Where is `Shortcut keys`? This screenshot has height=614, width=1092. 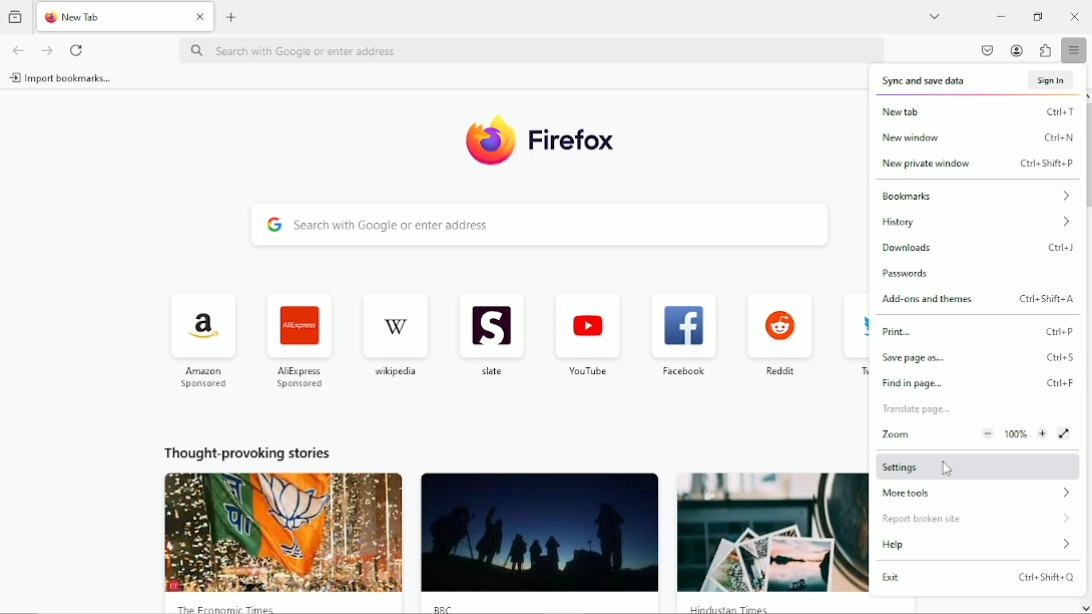 Shortcut keys is located at coordinates (1060, 332).